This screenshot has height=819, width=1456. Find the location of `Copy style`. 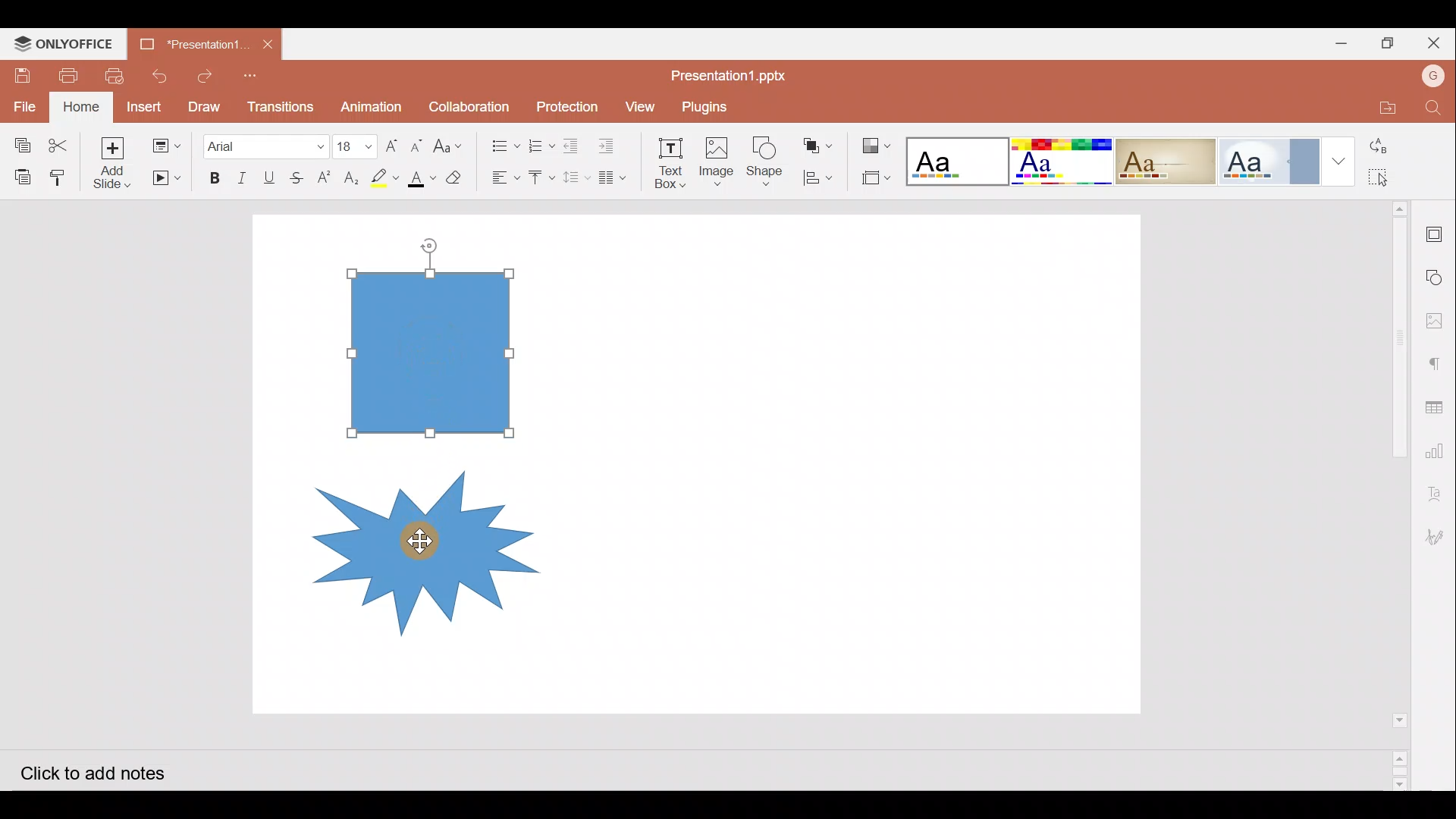

Copy style is located at coordinates (61, 175).